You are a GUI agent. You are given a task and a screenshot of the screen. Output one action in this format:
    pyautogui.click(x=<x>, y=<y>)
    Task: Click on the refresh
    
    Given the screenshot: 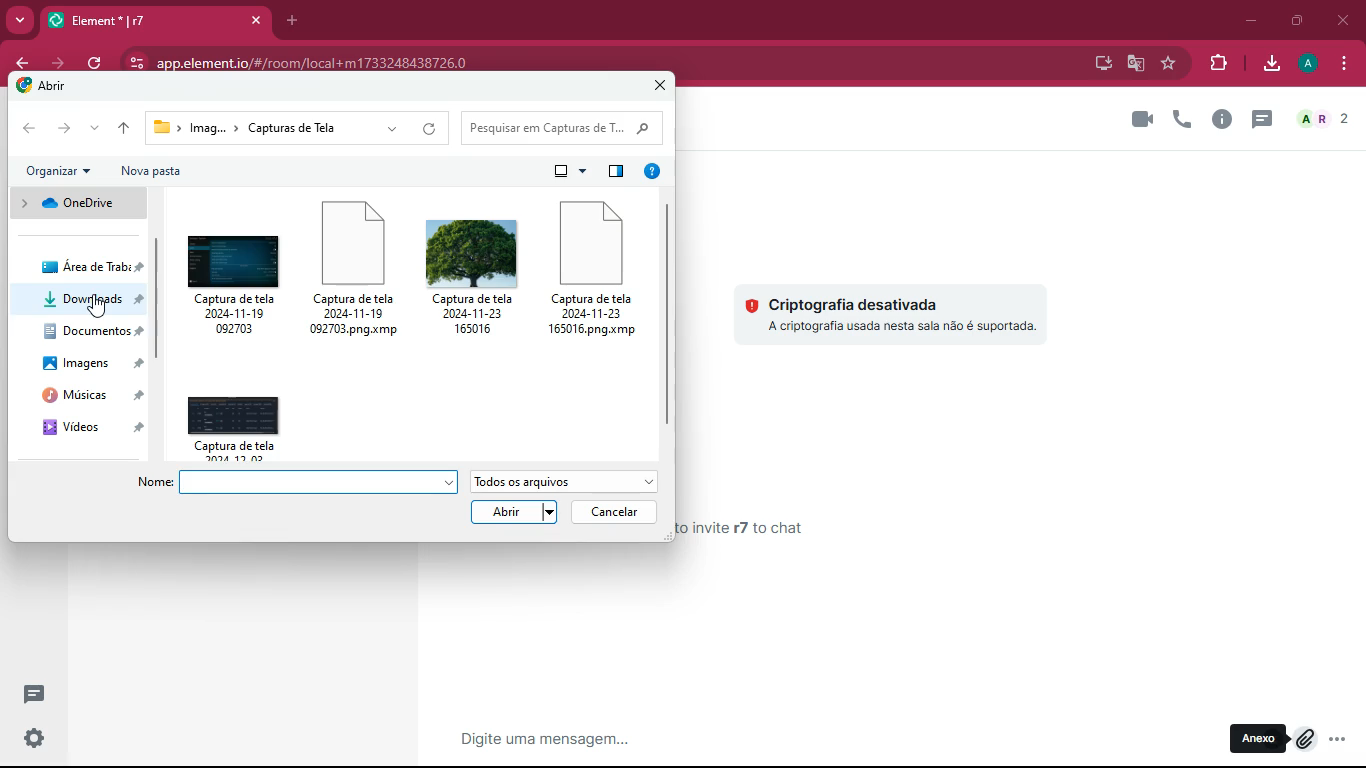 What is the action you would take?
    pyautogui.click(x=93, y=63)
    